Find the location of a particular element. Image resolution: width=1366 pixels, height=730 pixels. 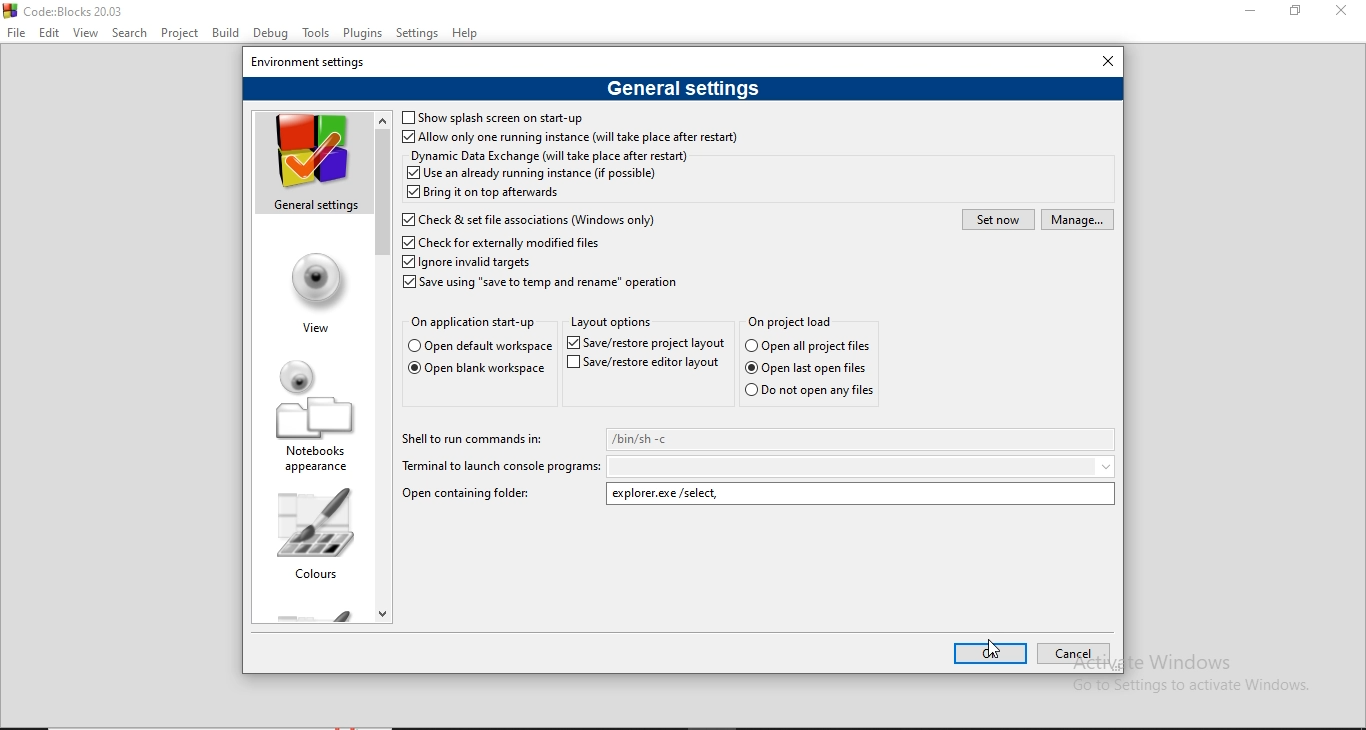

Terminal to launch console programs is located at coordinates (499, 468).